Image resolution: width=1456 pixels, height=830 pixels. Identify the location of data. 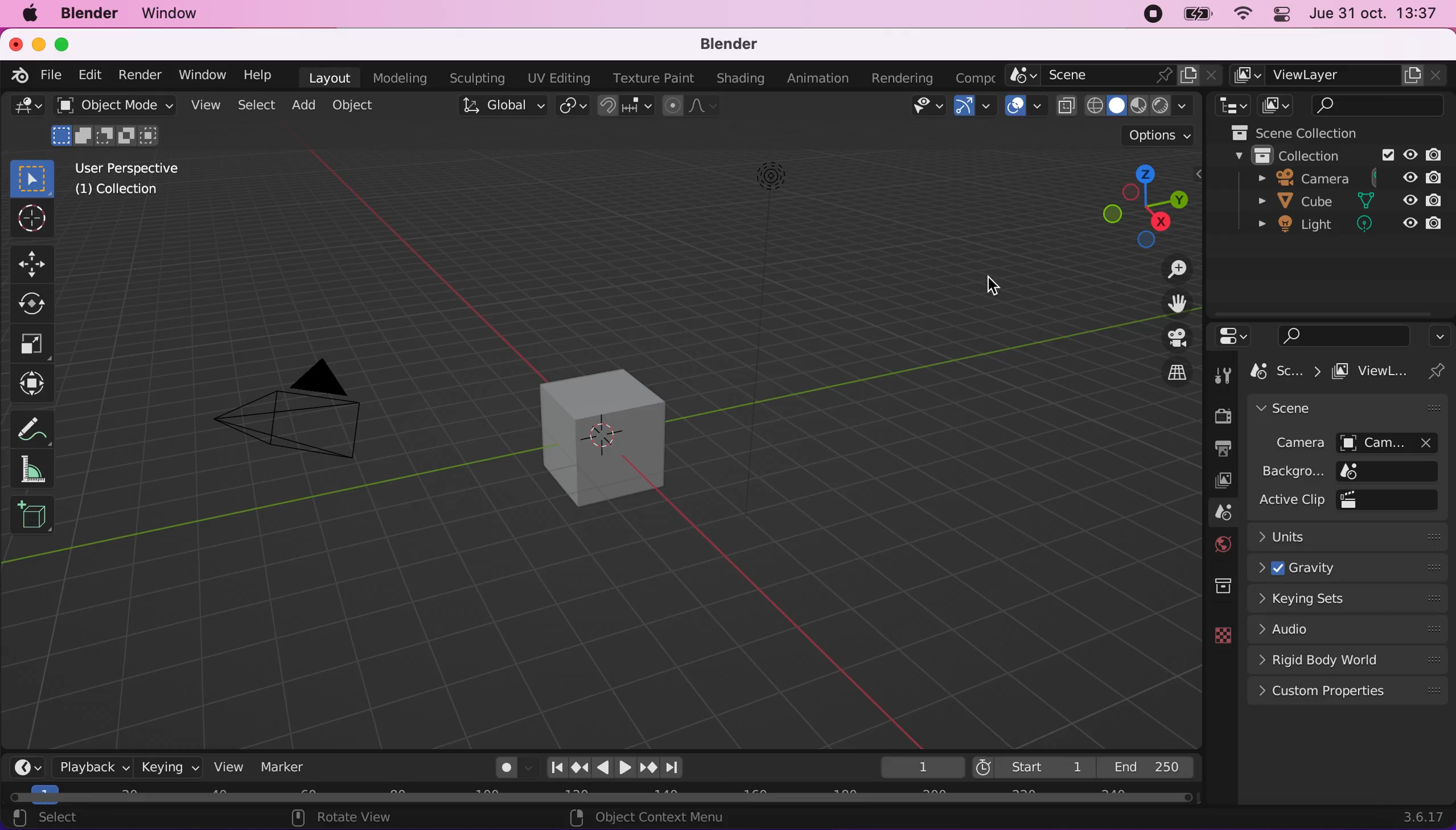
(1217, 634).